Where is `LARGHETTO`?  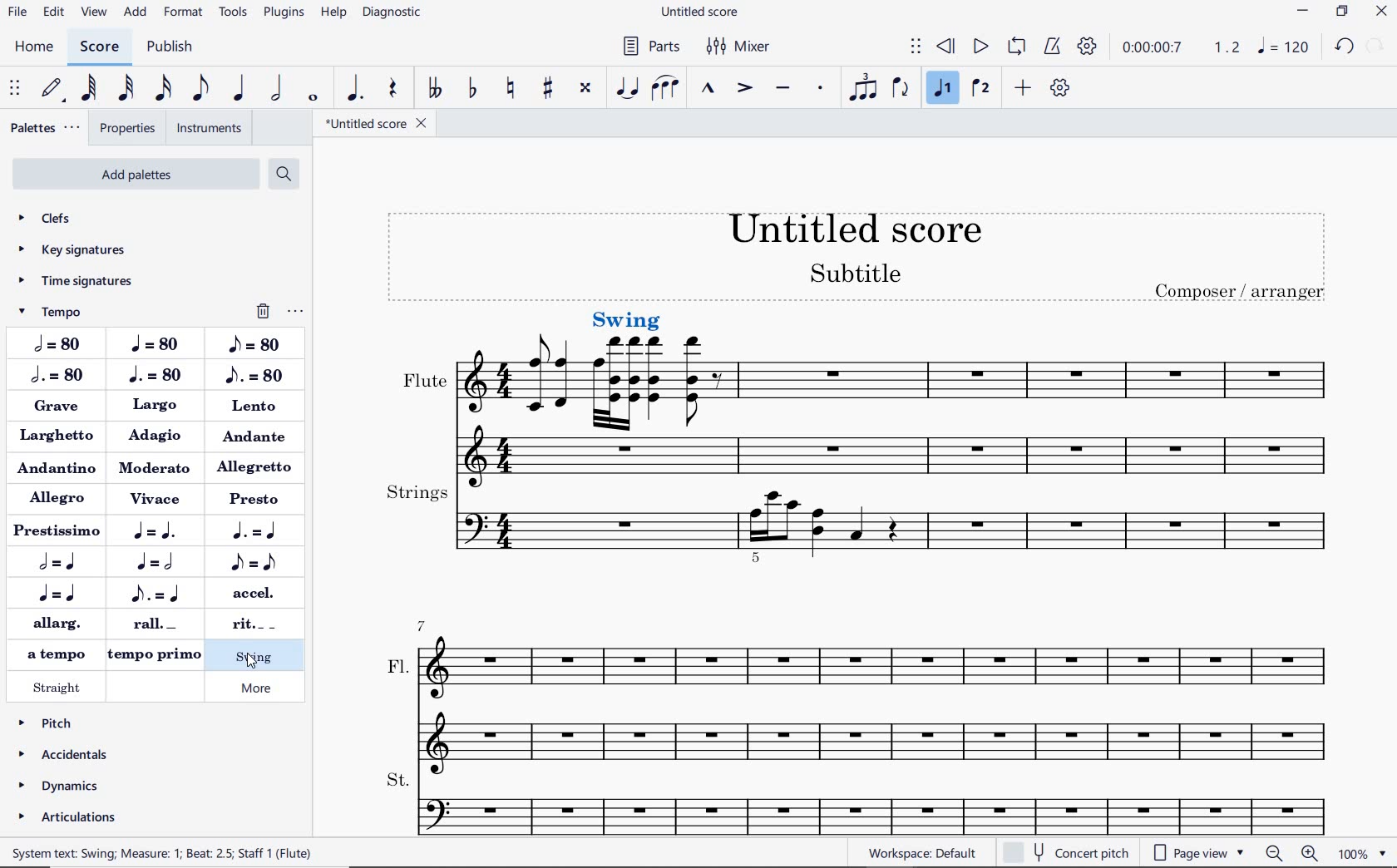 LARGHETTO is located at coordinates (58, 437).